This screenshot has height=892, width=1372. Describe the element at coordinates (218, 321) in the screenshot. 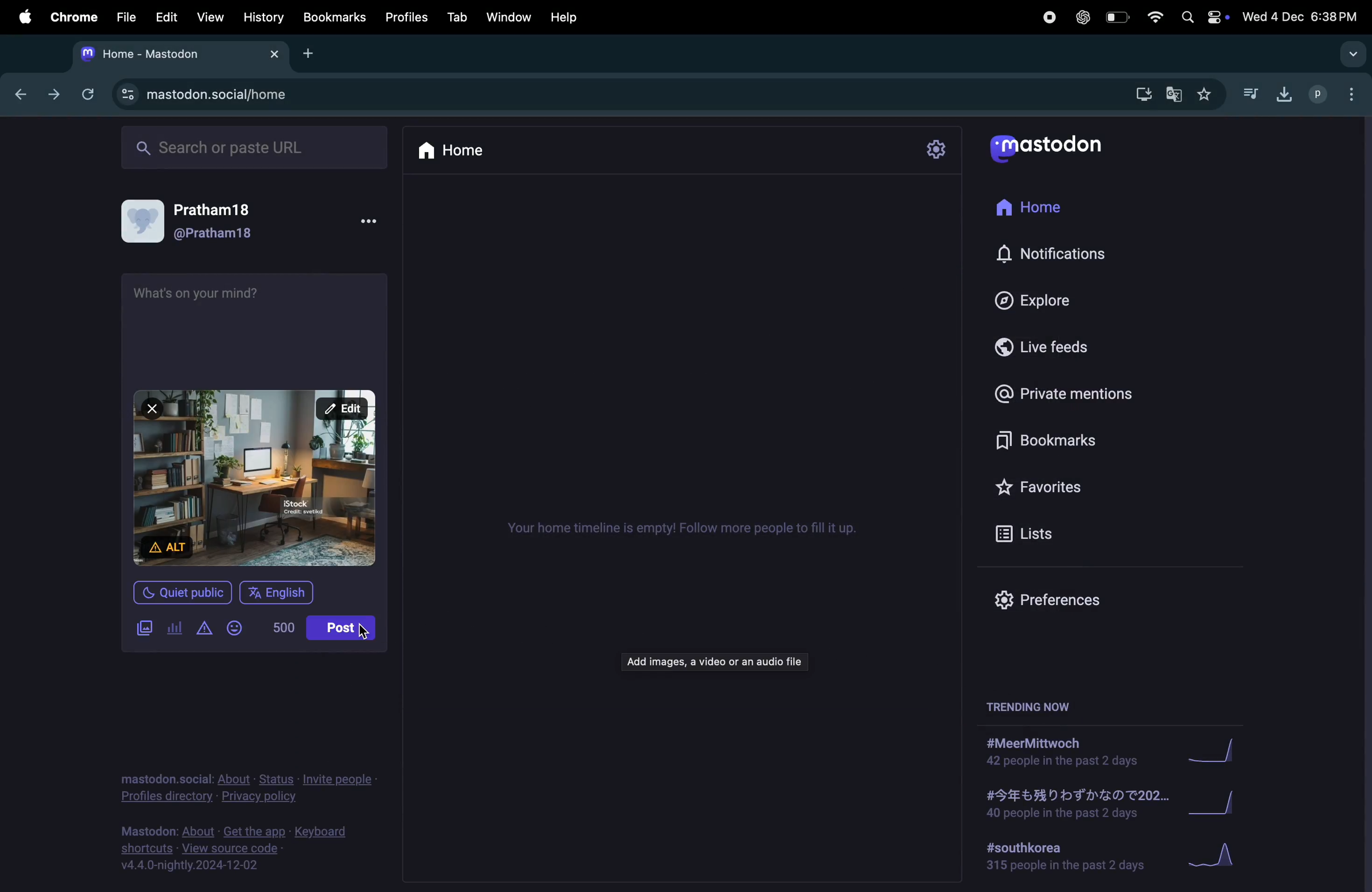

I see `tet box` at that location.